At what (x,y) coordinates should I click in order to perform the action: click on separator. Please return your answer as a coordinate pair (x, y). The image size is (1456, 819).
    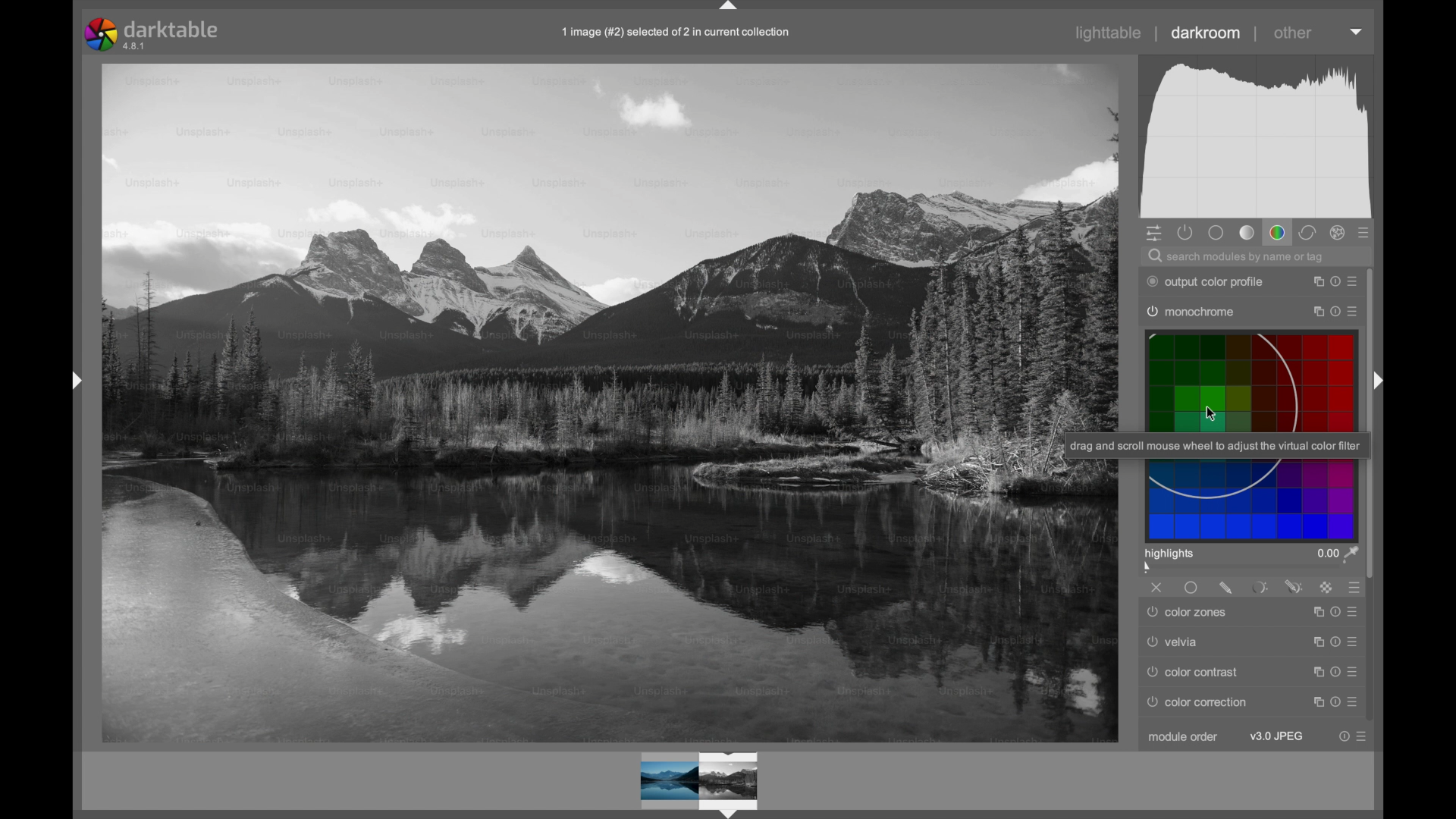
    Looking at the image, I should click on (1256, 35).